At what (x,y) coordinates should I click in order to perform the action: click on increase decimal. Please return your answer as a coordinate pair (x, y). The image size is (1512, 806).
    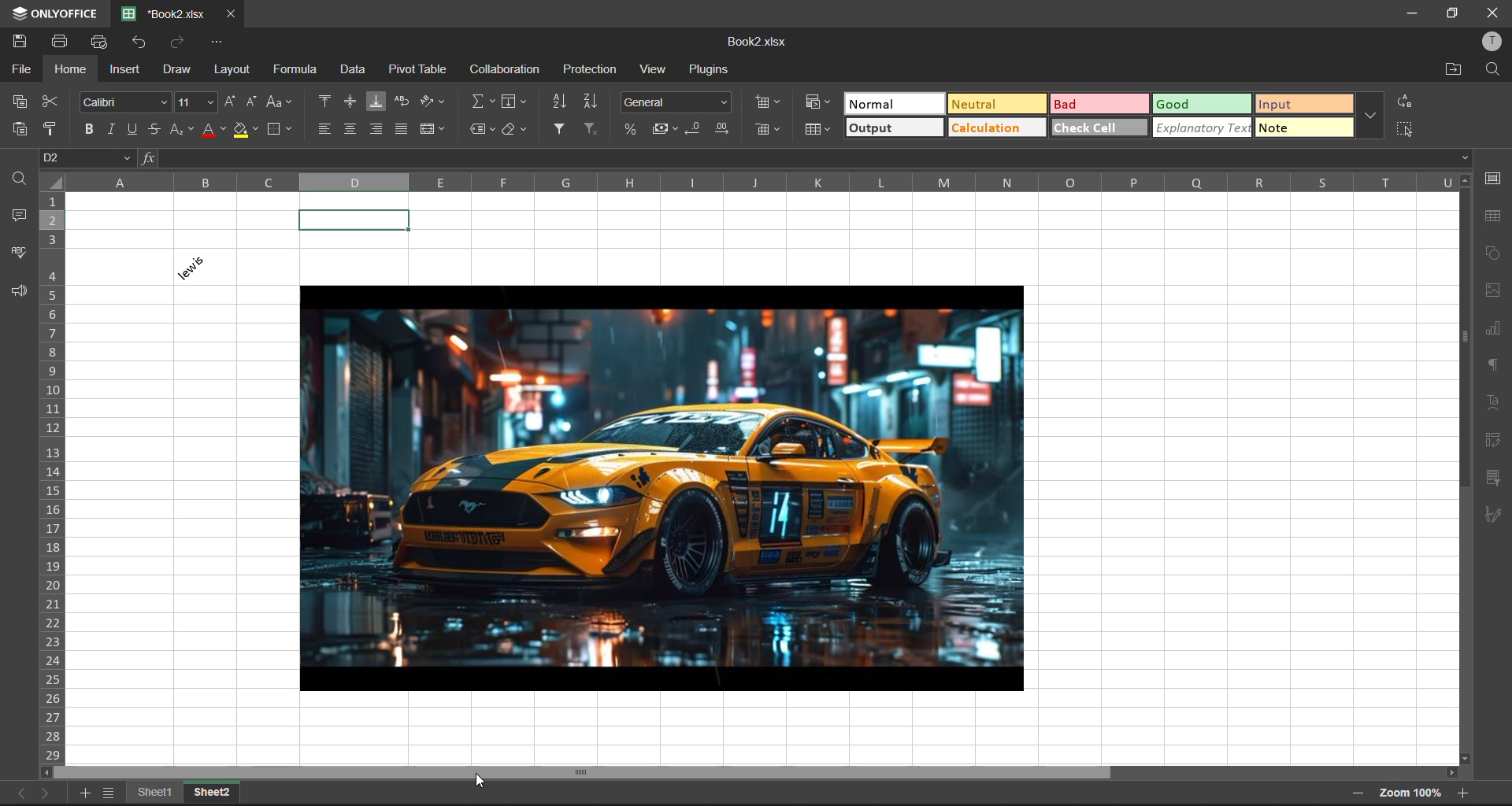
    Looking at the image, I should click on (721, 128).